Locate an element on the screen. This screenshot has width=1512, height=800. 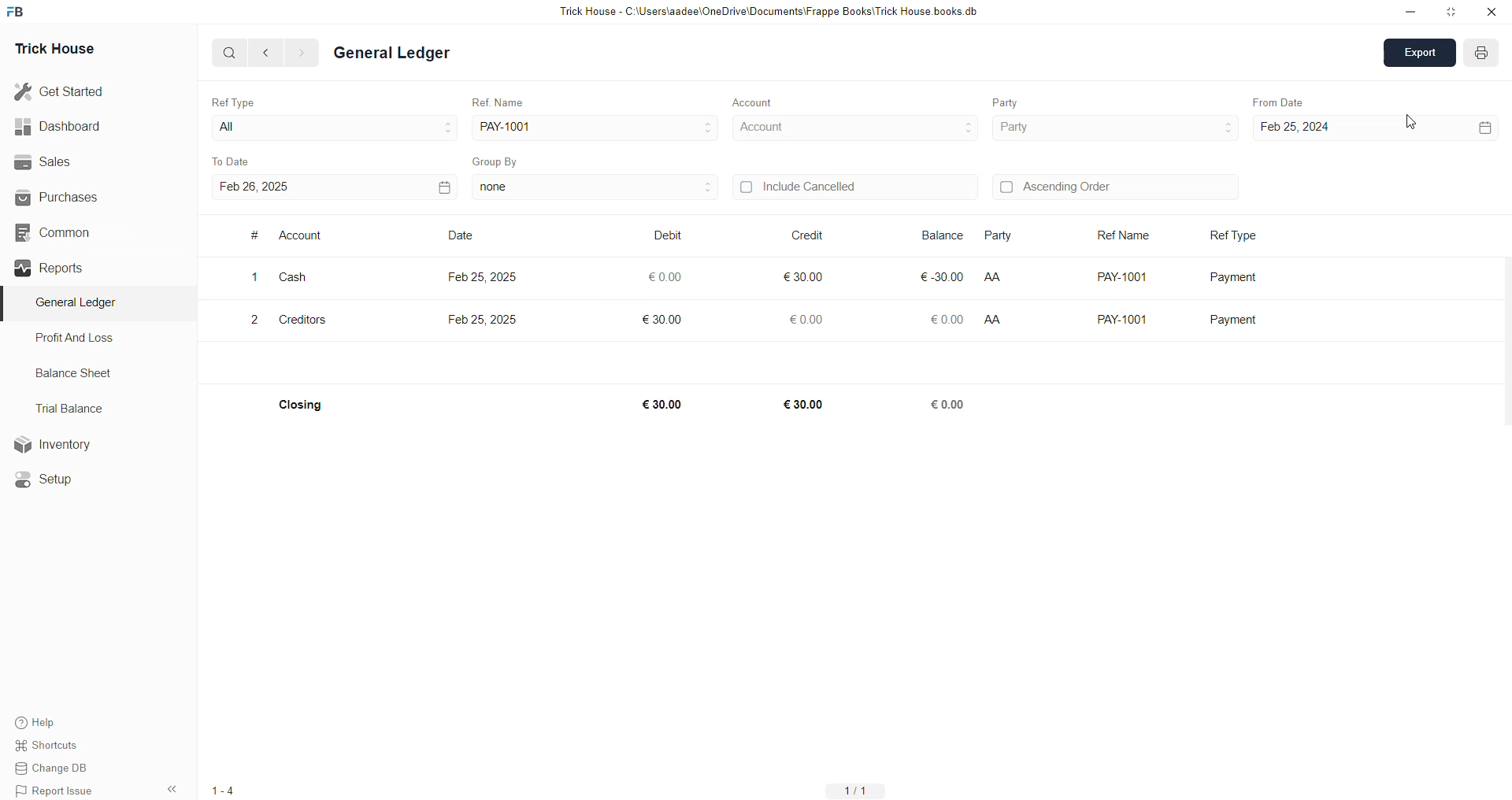
Balance is located at coordinates (947, 235).